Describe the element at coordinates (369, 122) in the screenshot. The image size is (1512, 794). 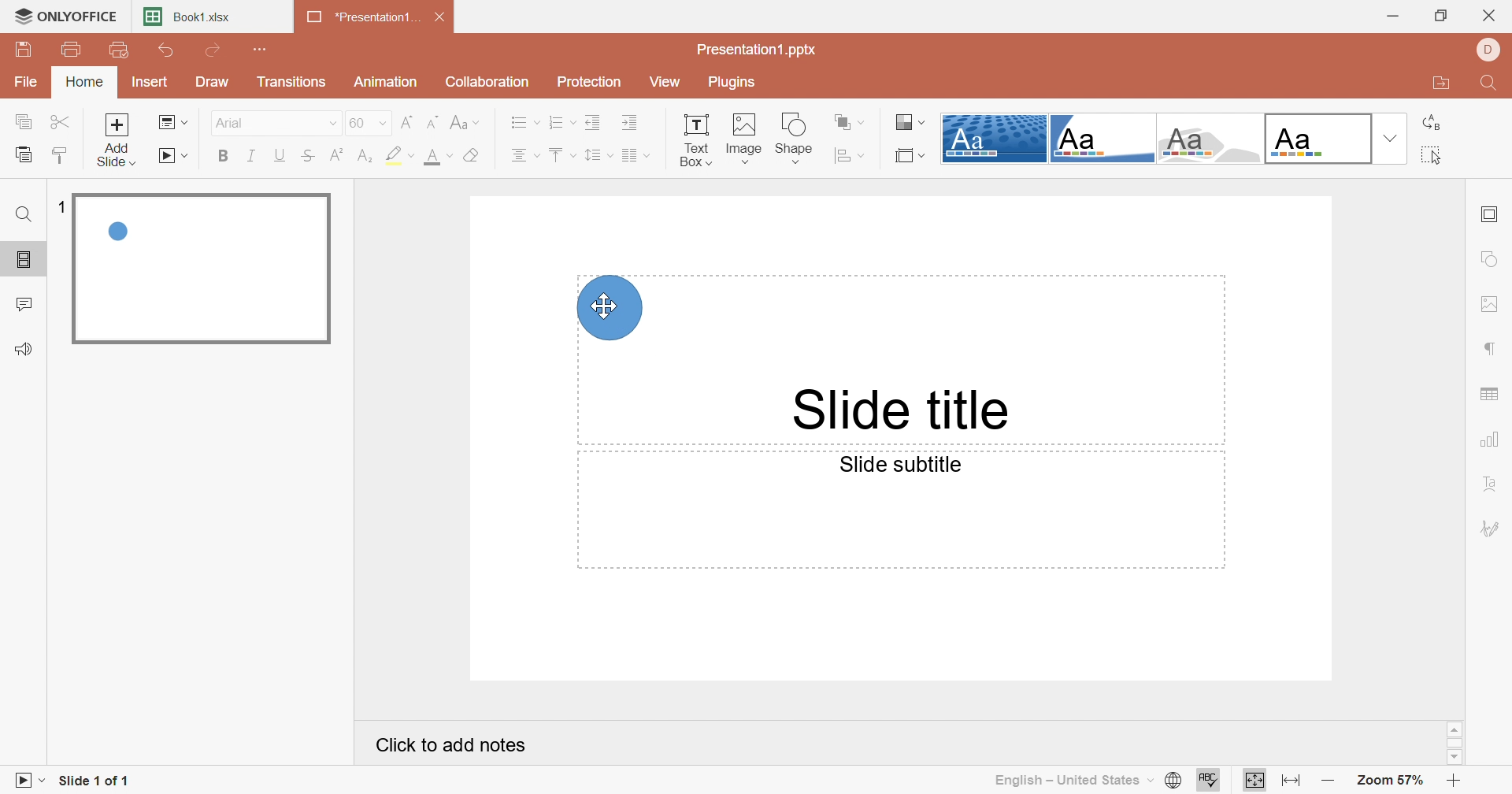
I see `Font size` at that location.